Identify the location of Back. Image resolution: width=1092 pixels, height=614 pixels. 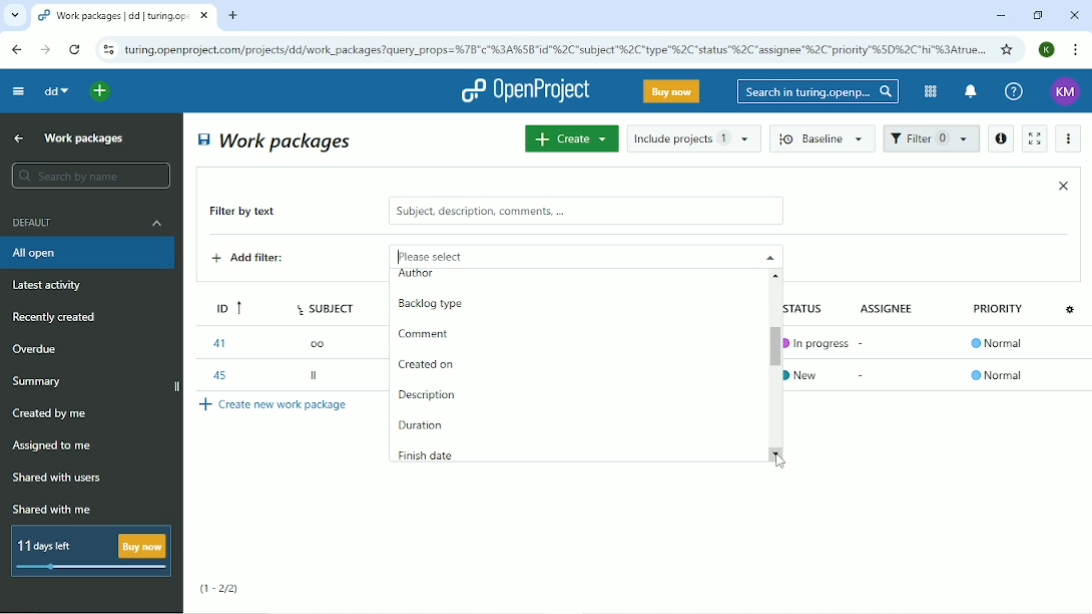
(16, 49).